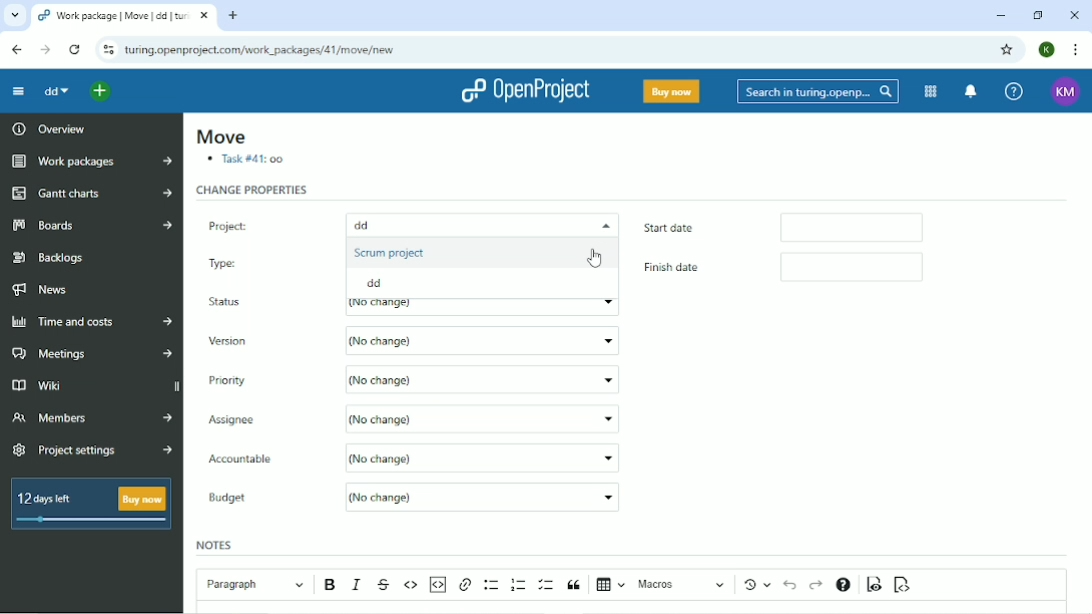 This screenshot has width=1092, height=614. What do you see at coordinates (92, 194) in the screenshot?
I see `Gantt charts` at bounding box center [92, 194].